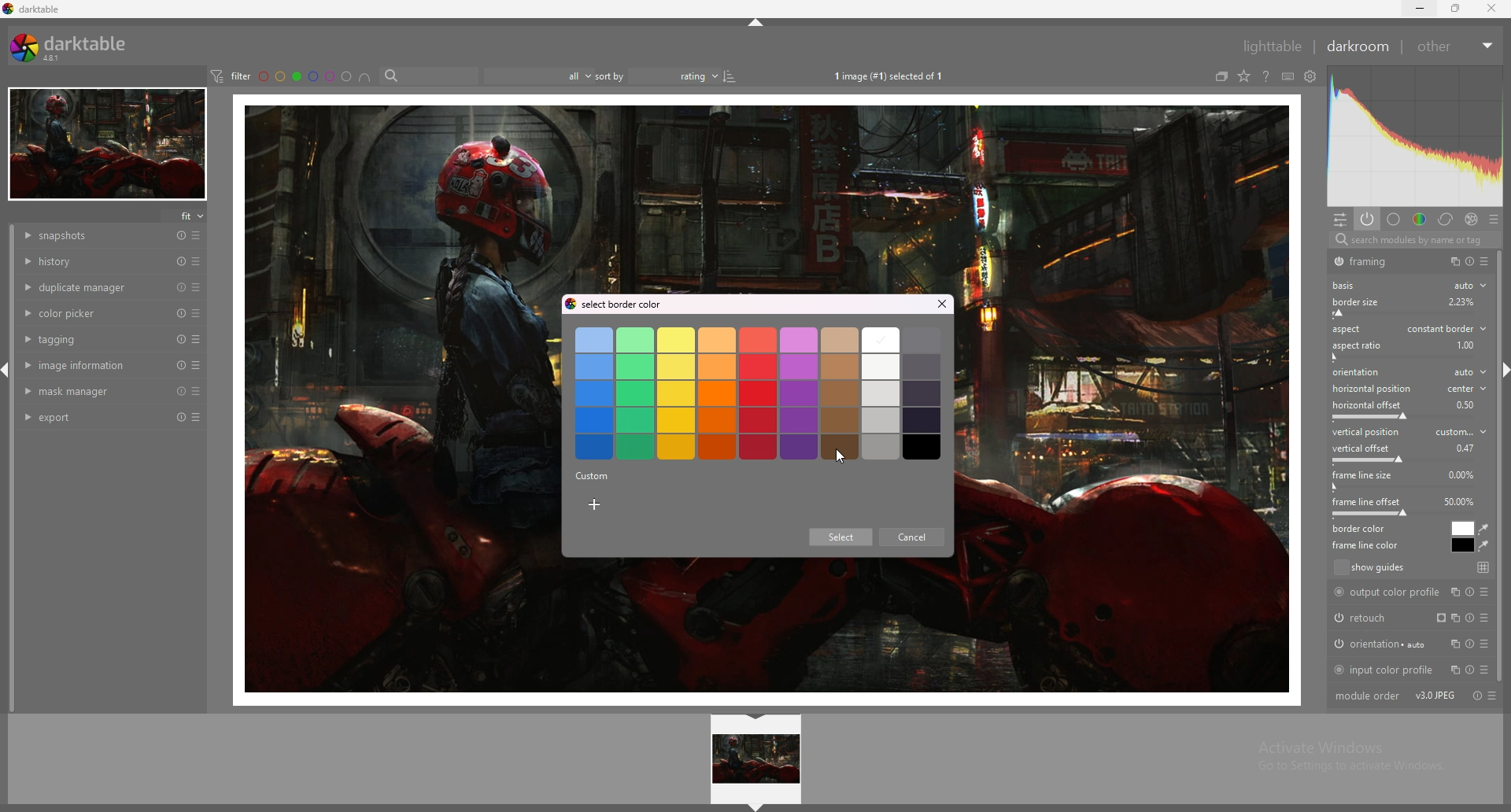 The height and width of the screenshot is (812, 1511). What do you see at coordinates (1410, 592) in the screenshot?
I see `output color profile` at bounding box center [1410, 592].